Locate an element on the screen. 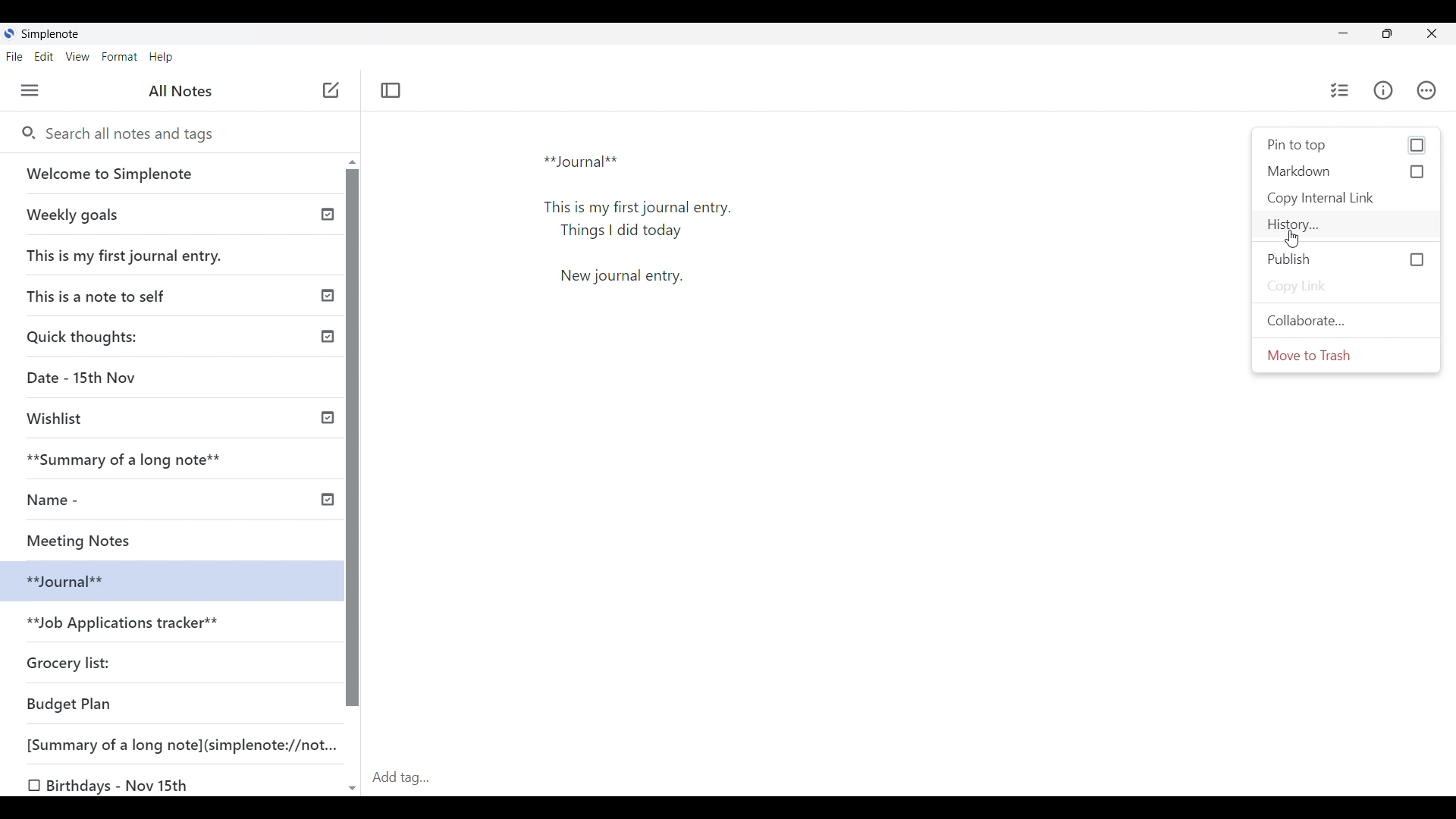 The height and width of the screenshot is (819, 1456). **Job Applications tracker** is located at coordinates (126, 624).